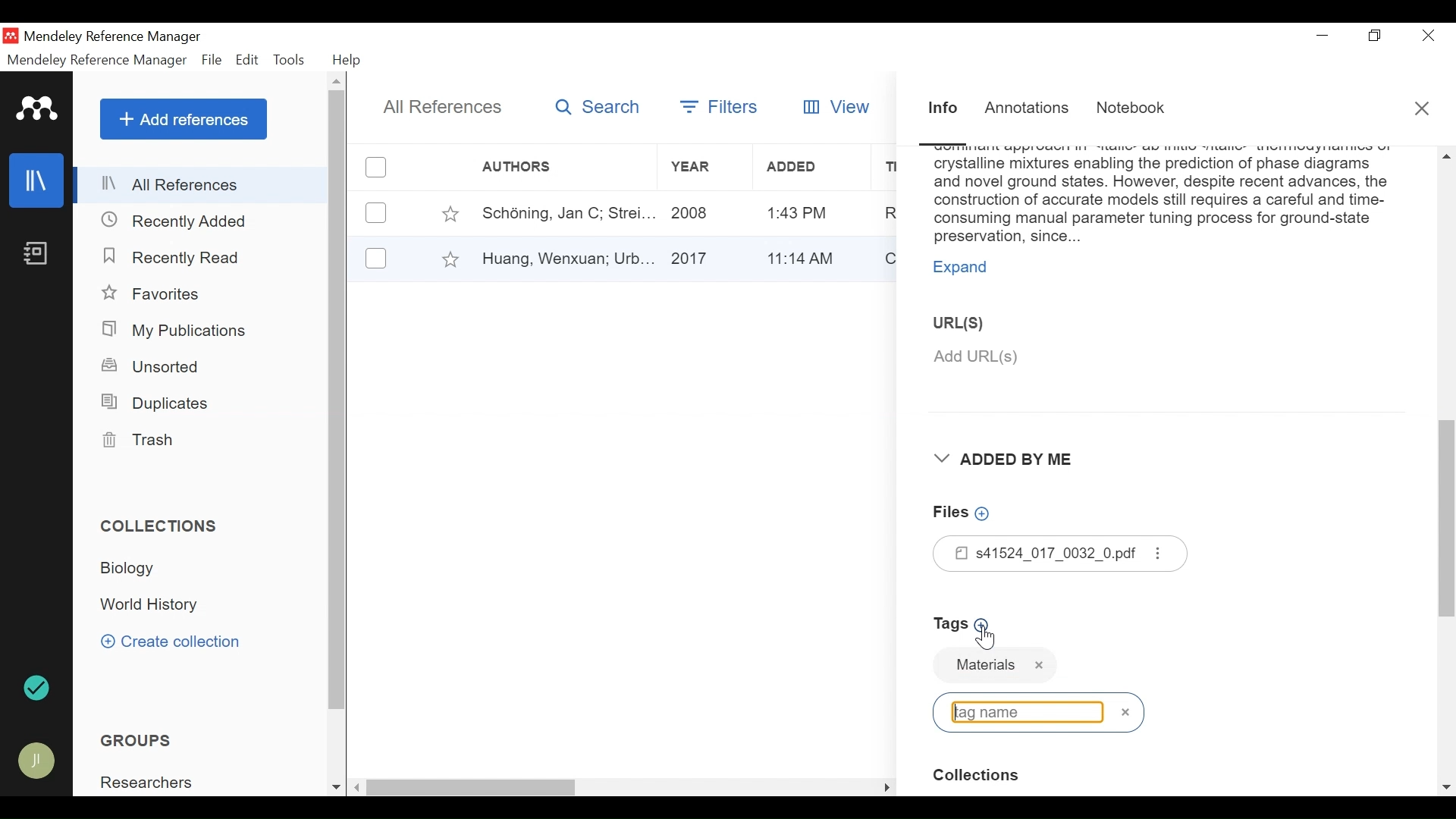  I want to click on Author, so click(566, 257).